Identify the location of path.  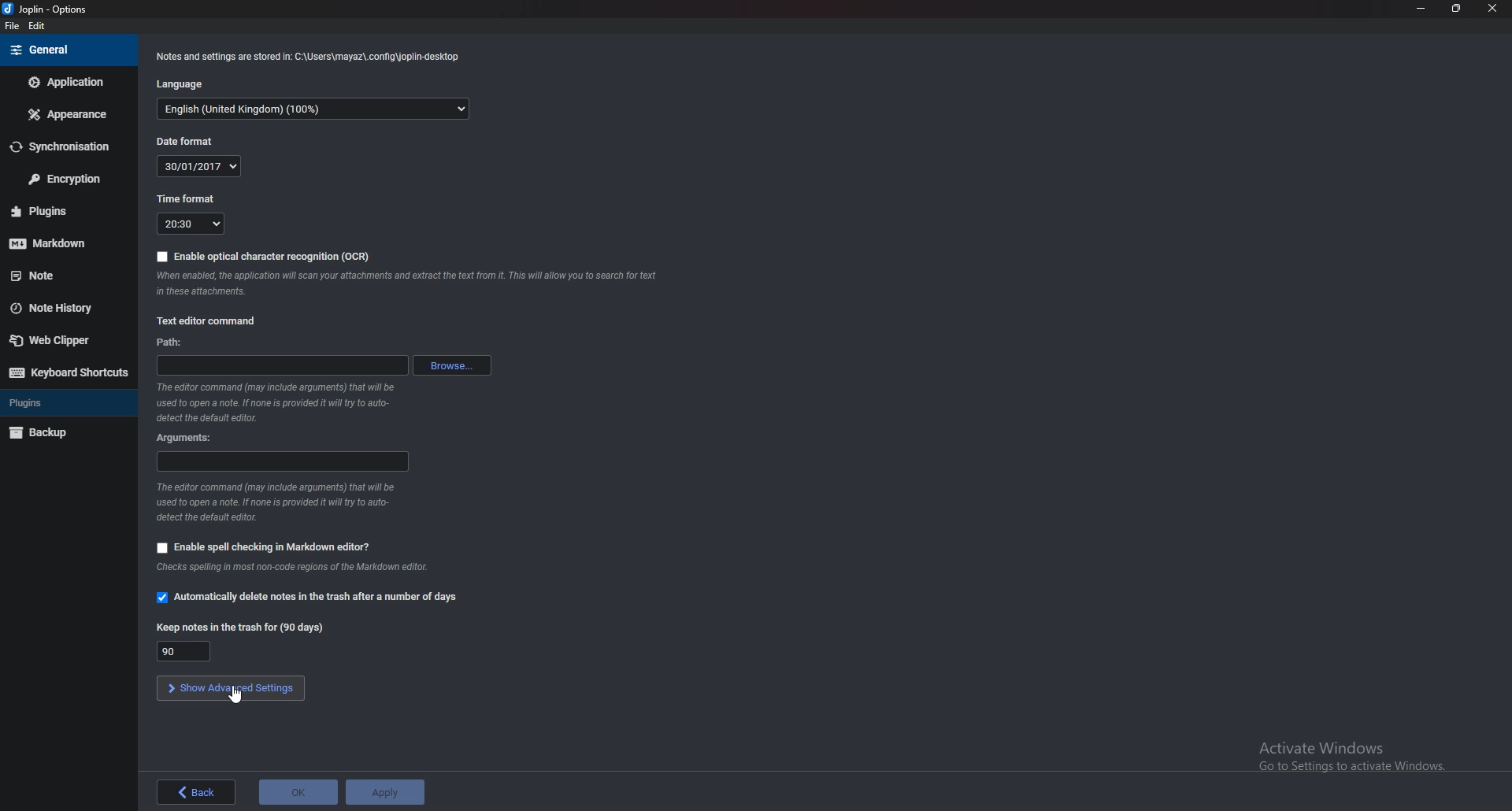
(175, 343).